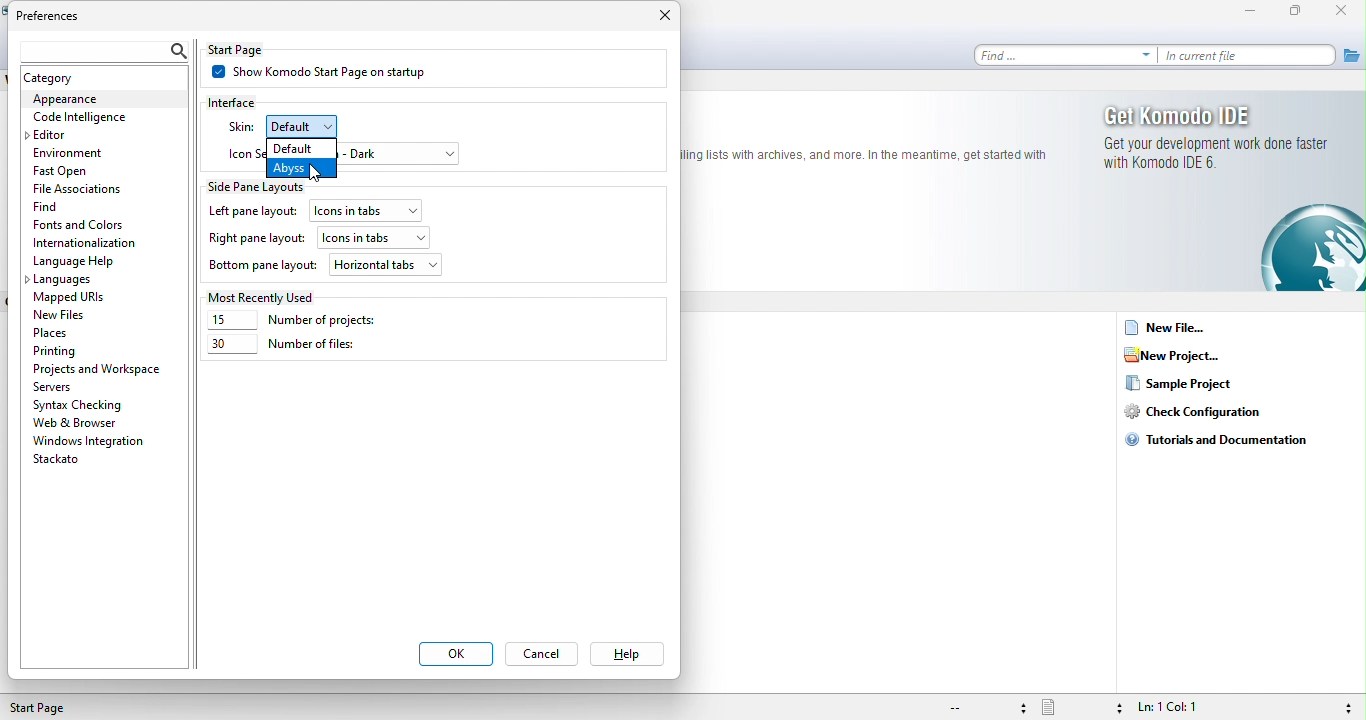 The width and height of the screenshot is (1366, 720). Describe the element at coordinates (82, 226) in the screenshot. I see `fonts and colors` at that location.